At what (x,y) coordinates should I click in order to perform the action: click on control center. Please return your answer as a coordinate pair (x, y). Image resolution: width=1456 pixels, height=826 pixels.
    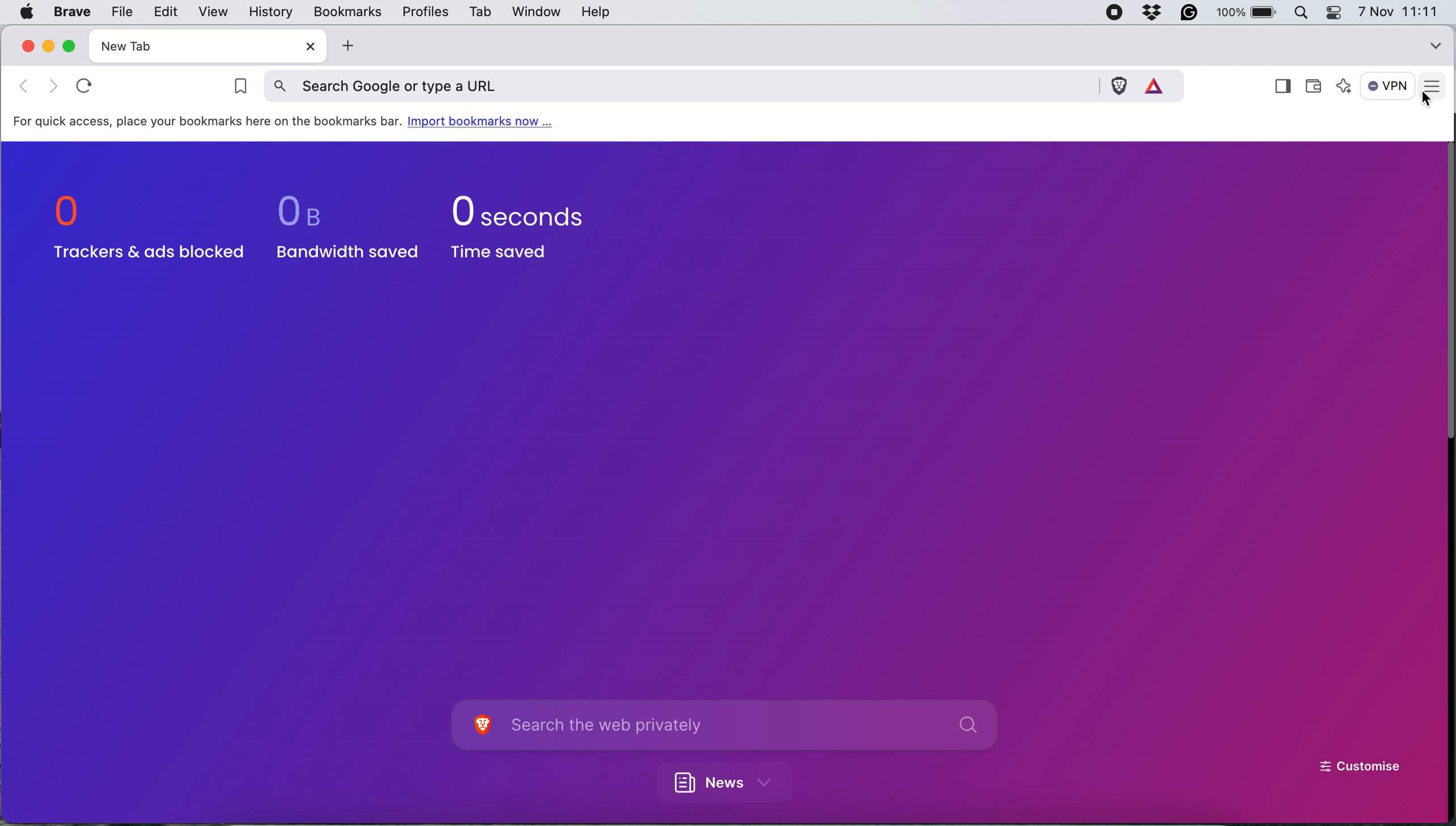
    Looking at the image, I should click on (1337, 12).